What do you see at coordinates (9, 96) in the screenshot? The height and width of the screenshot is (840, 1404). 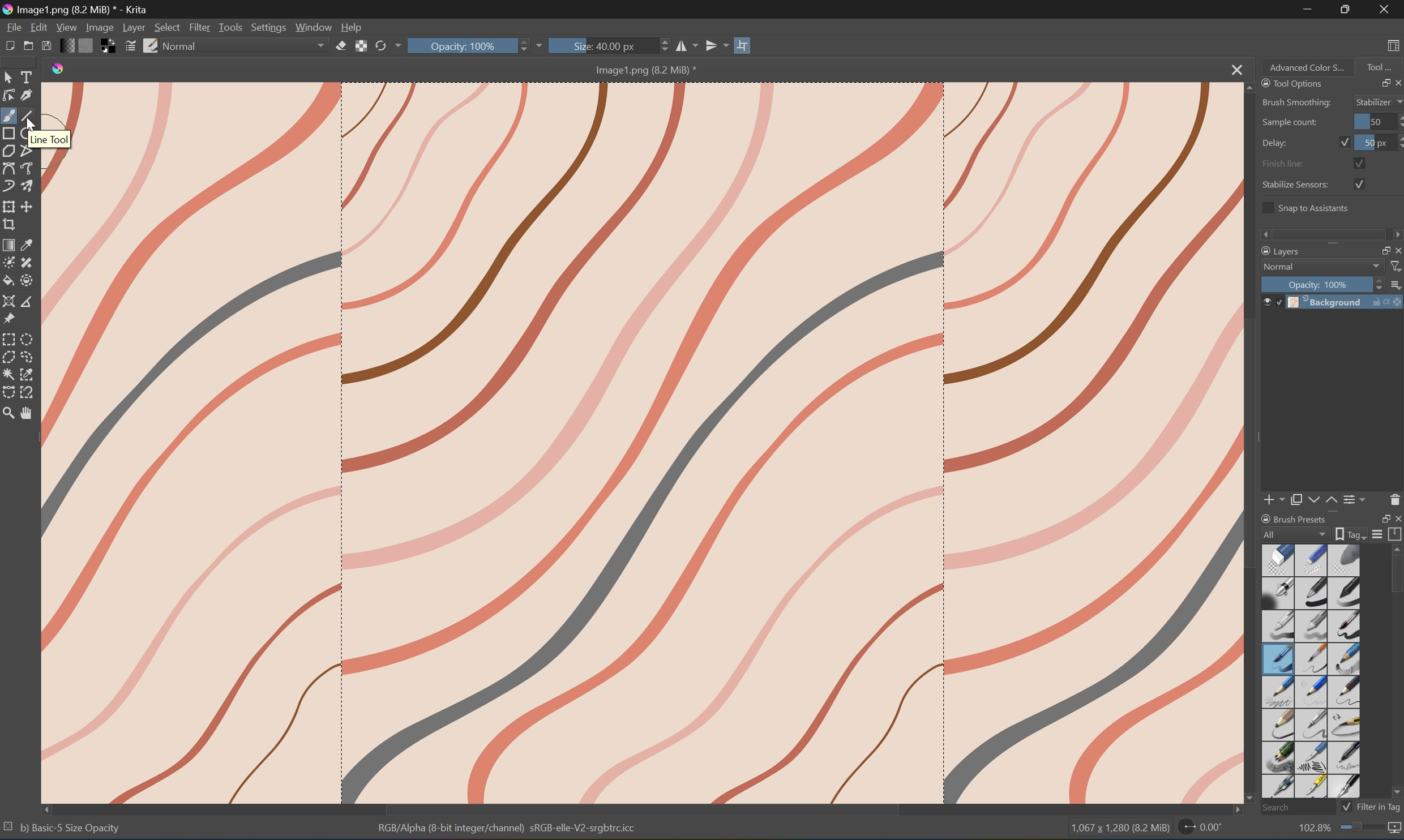 I see `Edit shapes tool` at bounding box center [9, 96].